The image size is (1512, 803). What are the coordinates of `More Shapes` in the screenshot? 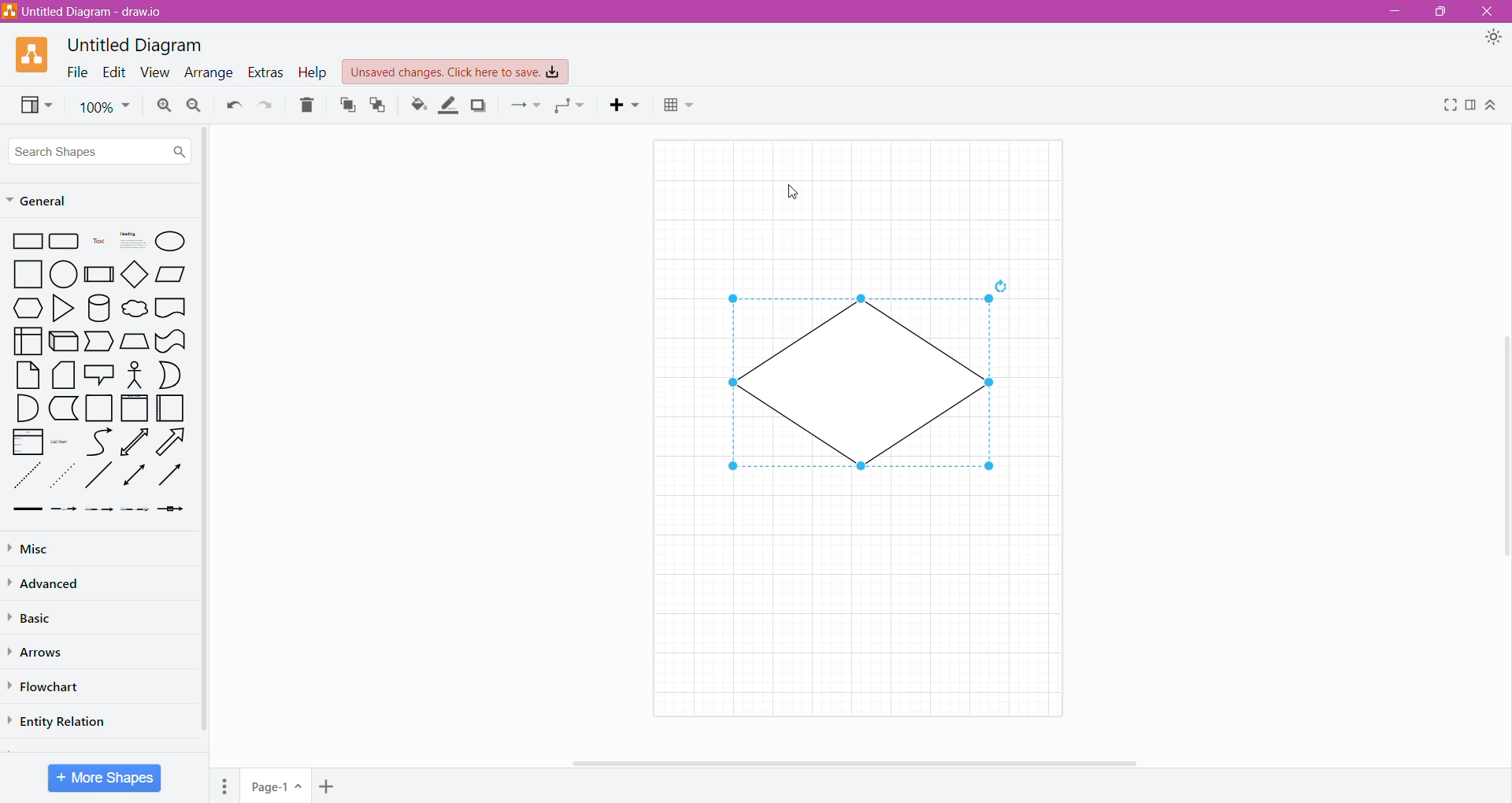 It's located at (105, 778).